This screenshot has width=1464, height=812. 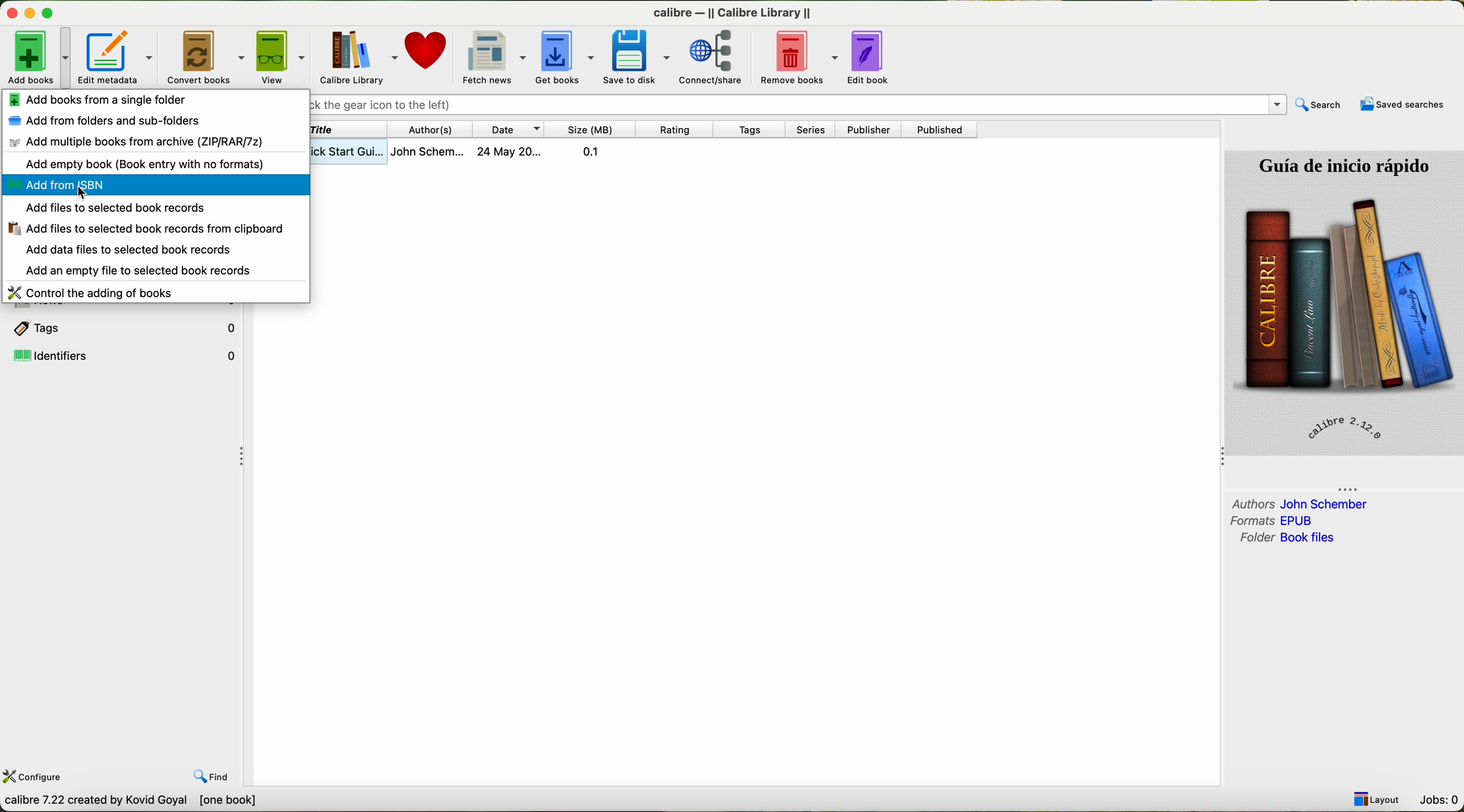 I want to click on folder, so click(x=1286, y=539).